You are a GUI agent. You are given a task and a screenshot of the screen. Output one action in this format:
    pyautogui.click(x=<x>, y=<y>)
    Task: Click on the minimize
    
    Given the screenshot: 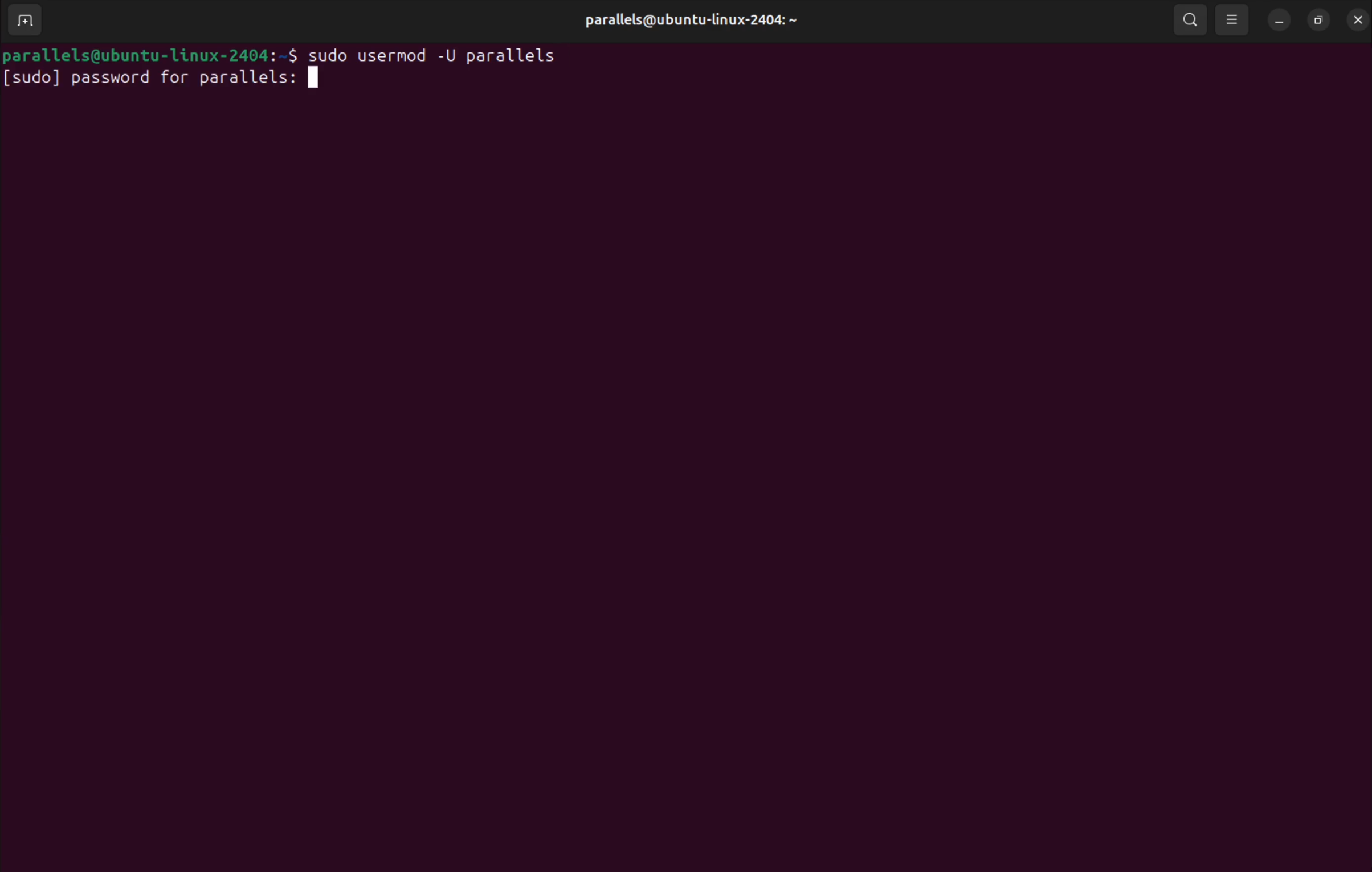 What is the action you would take?
    pyautogui.click(x=1280, y=21)
    